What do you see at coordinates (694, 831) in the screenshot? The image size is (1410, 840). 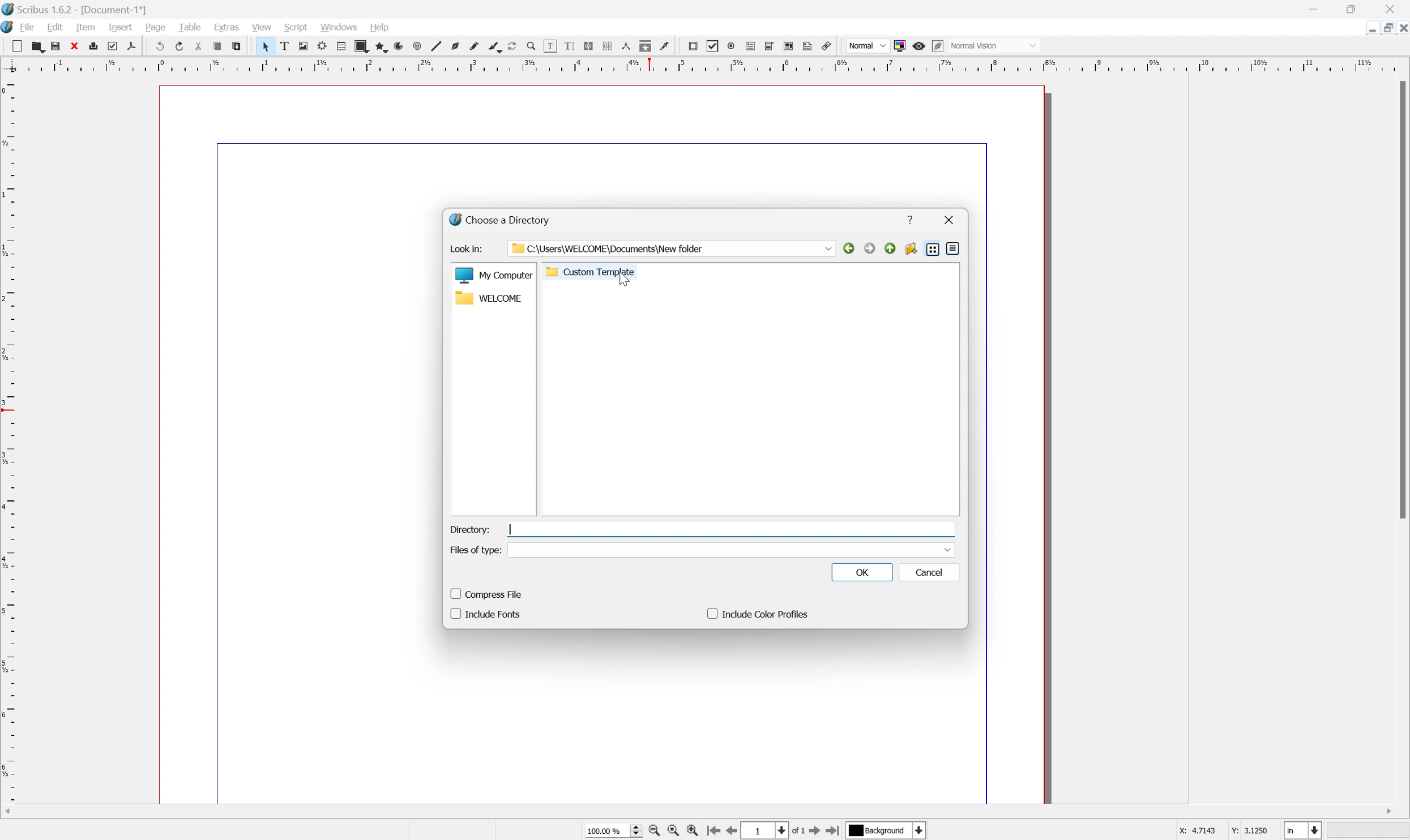 I see `Zoom in` at bounding box center [694, 831].